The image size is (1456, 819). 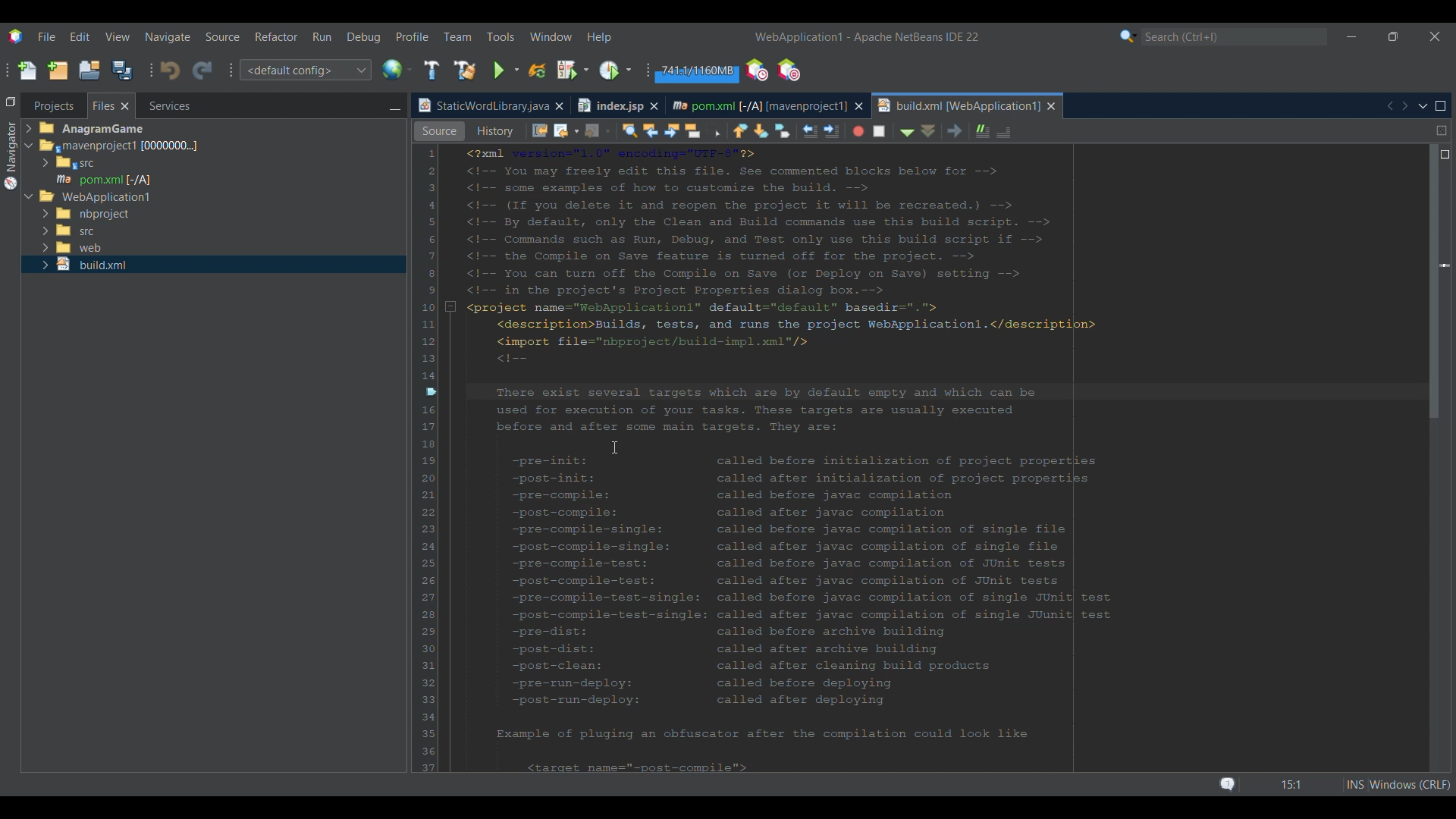 What do you see at coordinates (1316, 785) in the screenshot?
I see `Status bar details changed` at bounding box center [1316, 785].